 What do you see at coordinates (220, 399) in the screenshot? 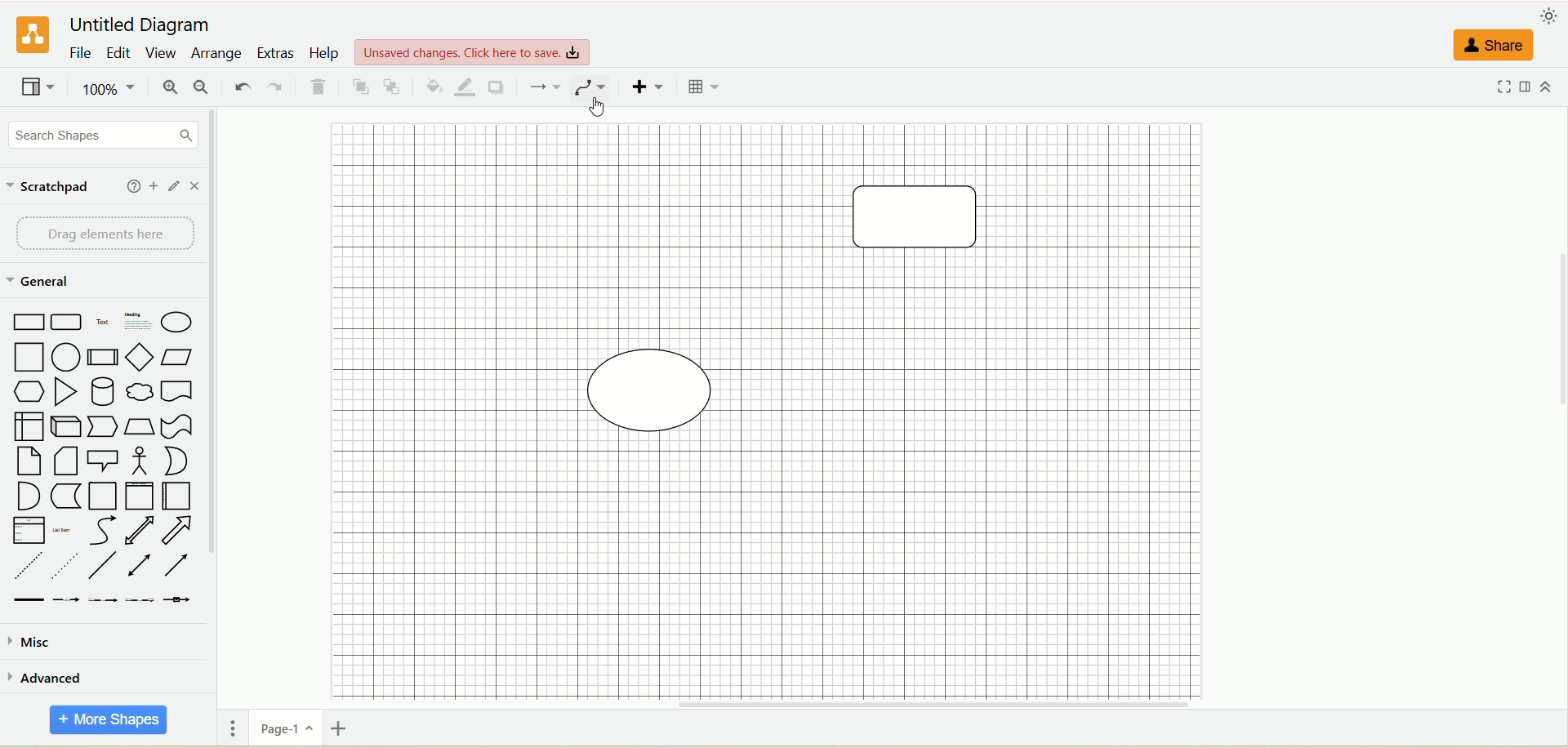
I see `vertical scroll bar` at bounding box center [220, 399].